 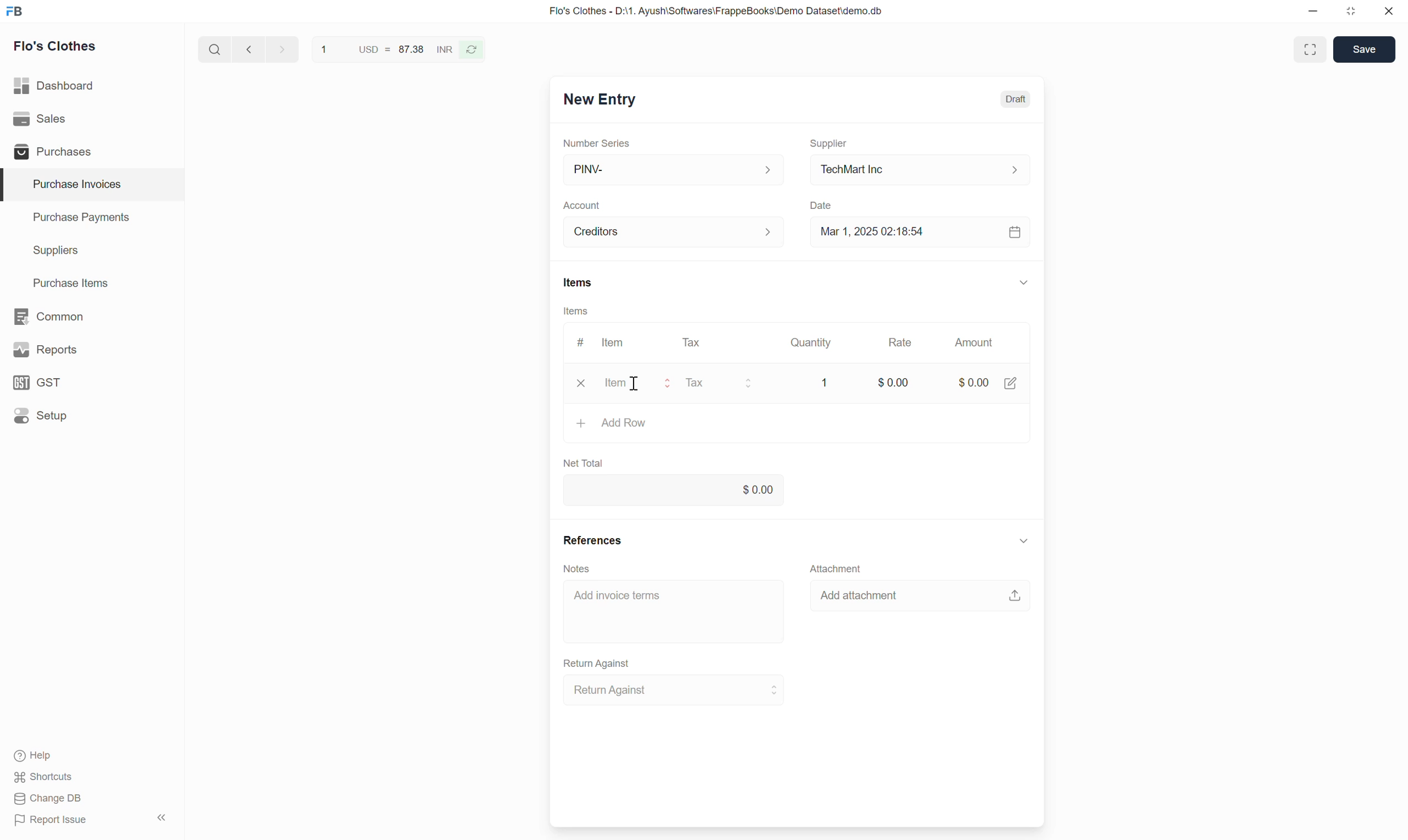 I want to click on $0.00, so click(x=988, y=379).